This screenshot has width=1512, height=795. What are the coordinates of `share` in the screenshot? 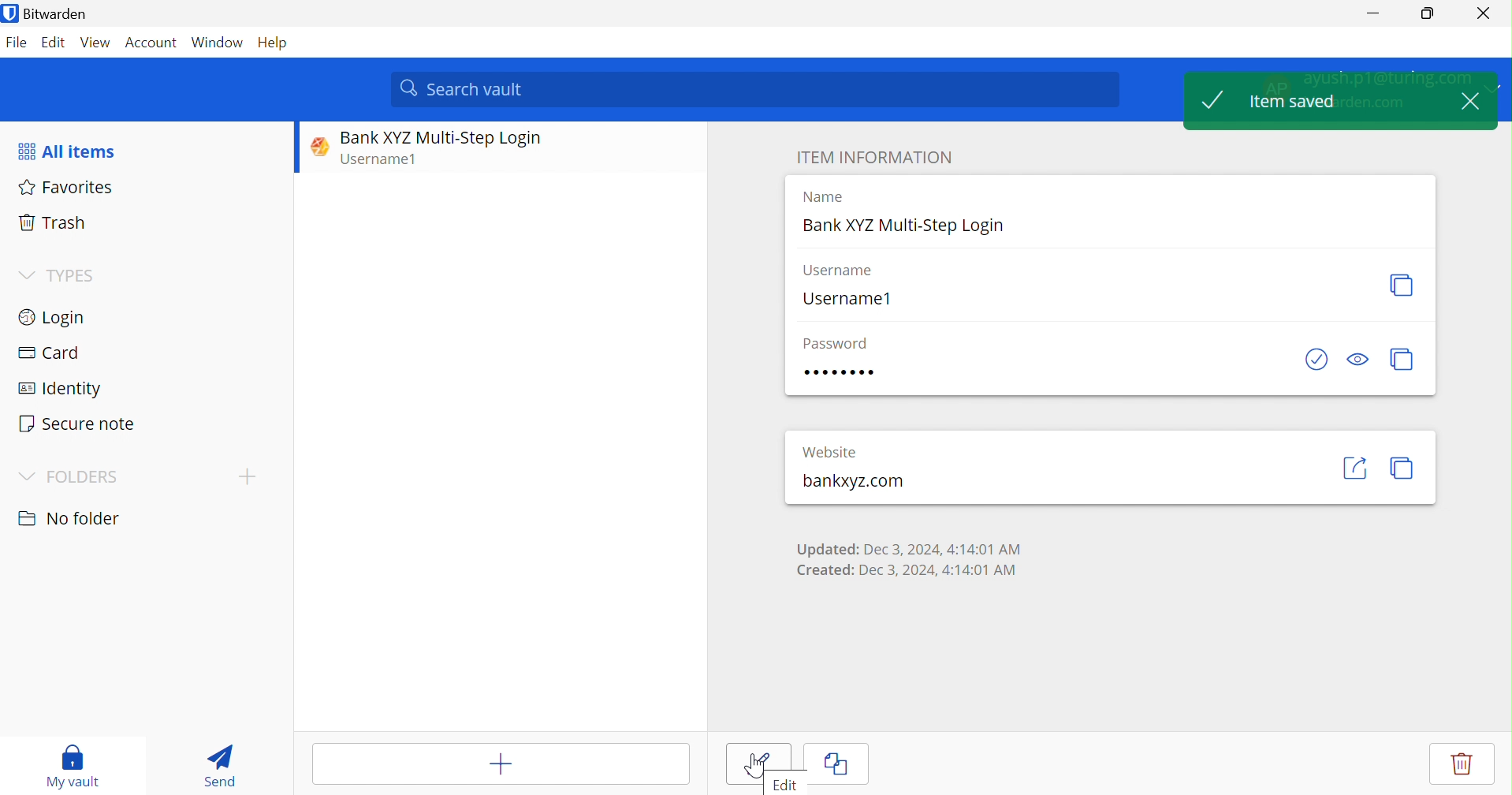 It's located at (1358, 471).